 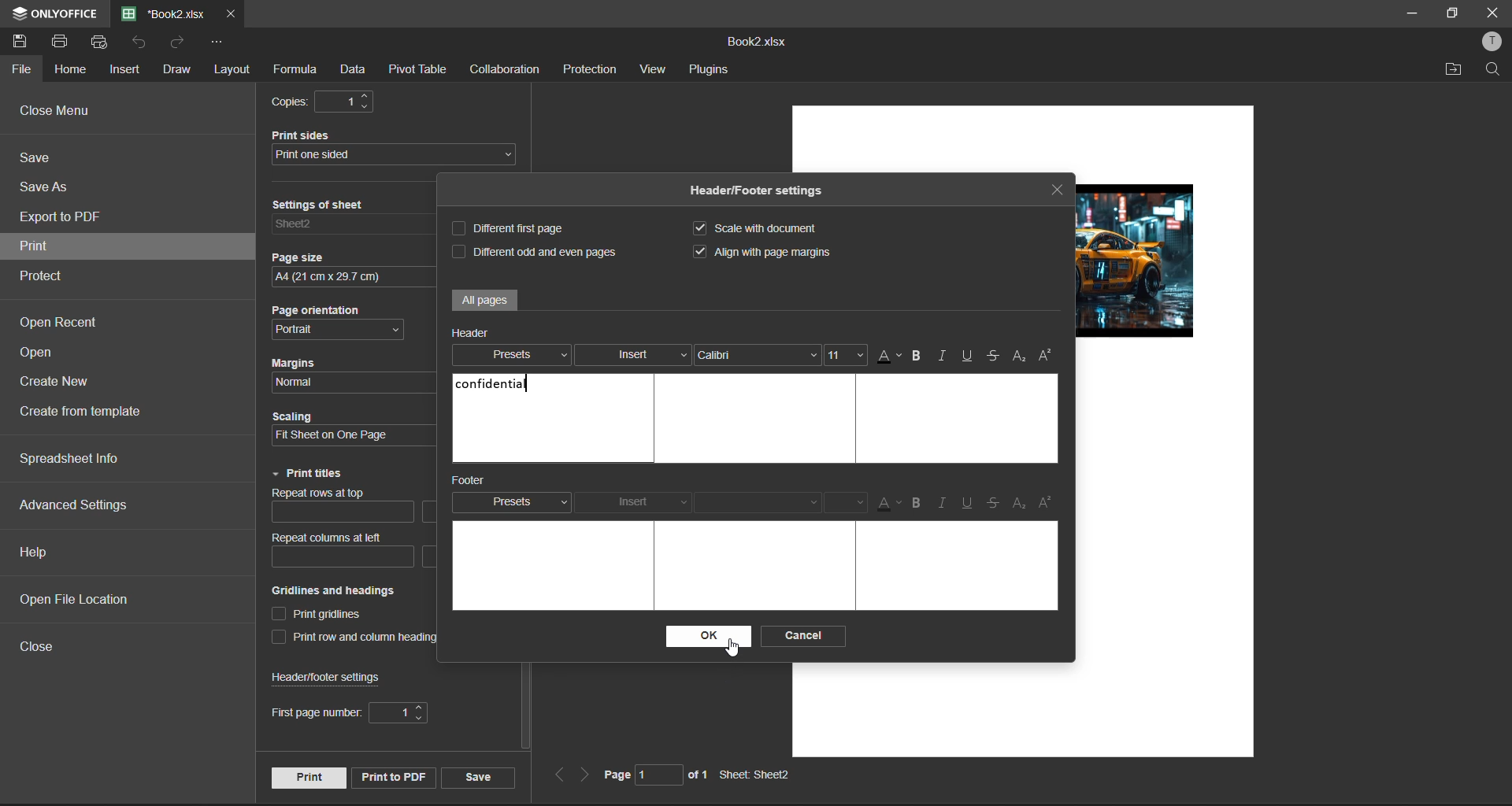 I want to click on print gridlines, so click(x=321, y=616).